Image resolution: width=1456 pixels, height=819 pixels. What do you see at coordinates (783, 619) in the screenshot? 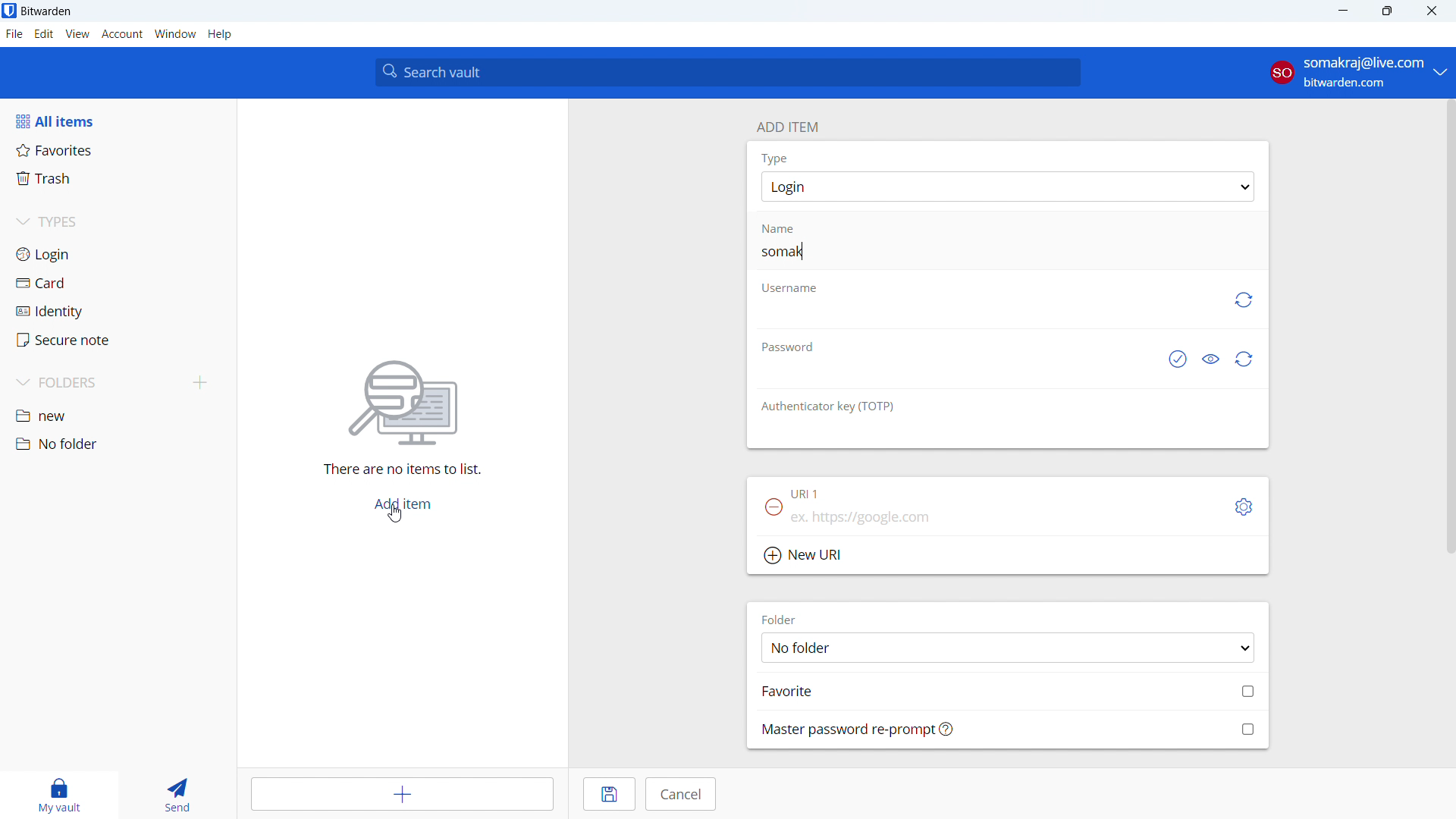
I see `FOLDER` at bounding box center [783, 619].